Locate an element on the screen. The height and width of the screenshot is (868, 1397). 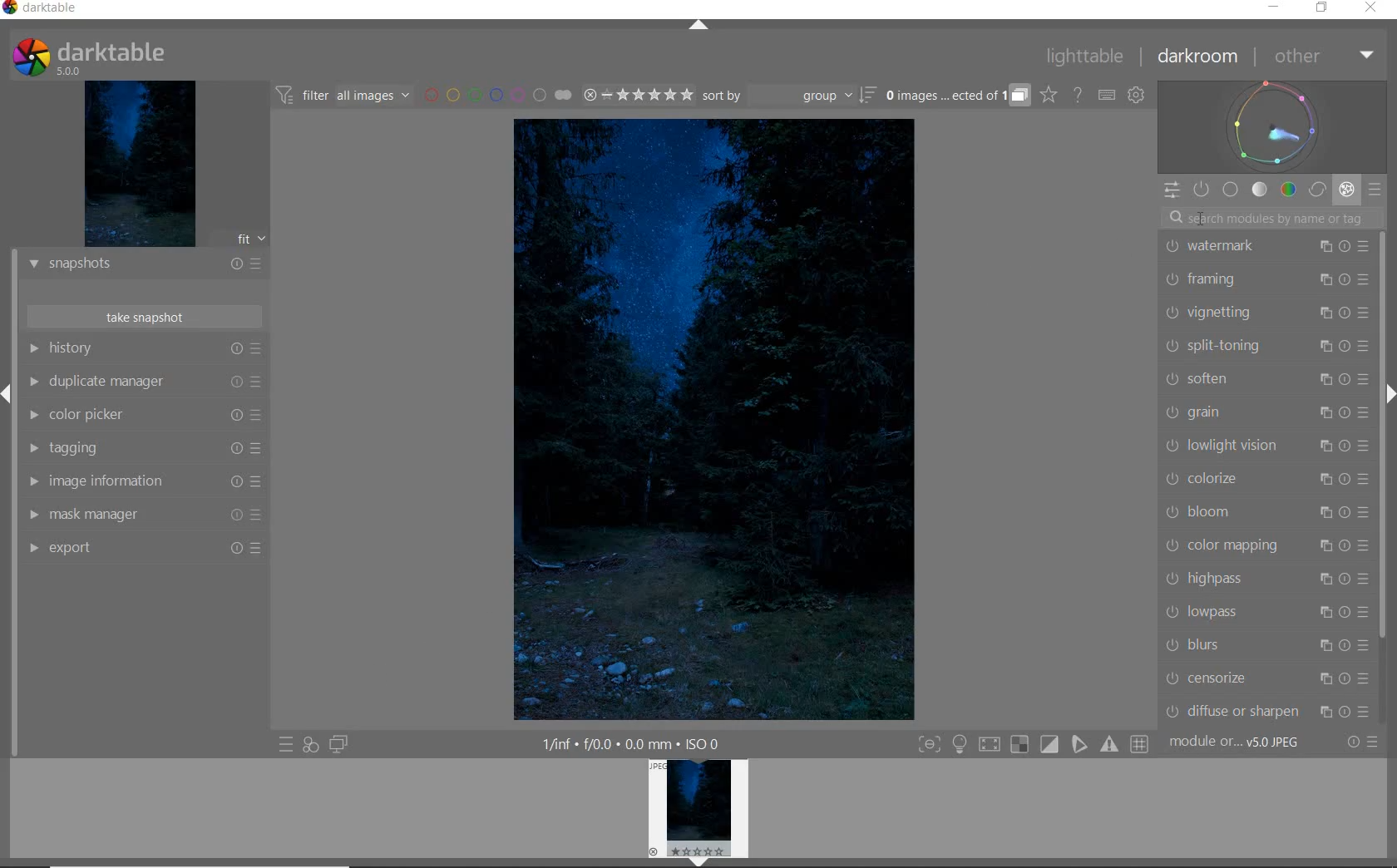
SOFTEN is located at coordinates (1266, 380).